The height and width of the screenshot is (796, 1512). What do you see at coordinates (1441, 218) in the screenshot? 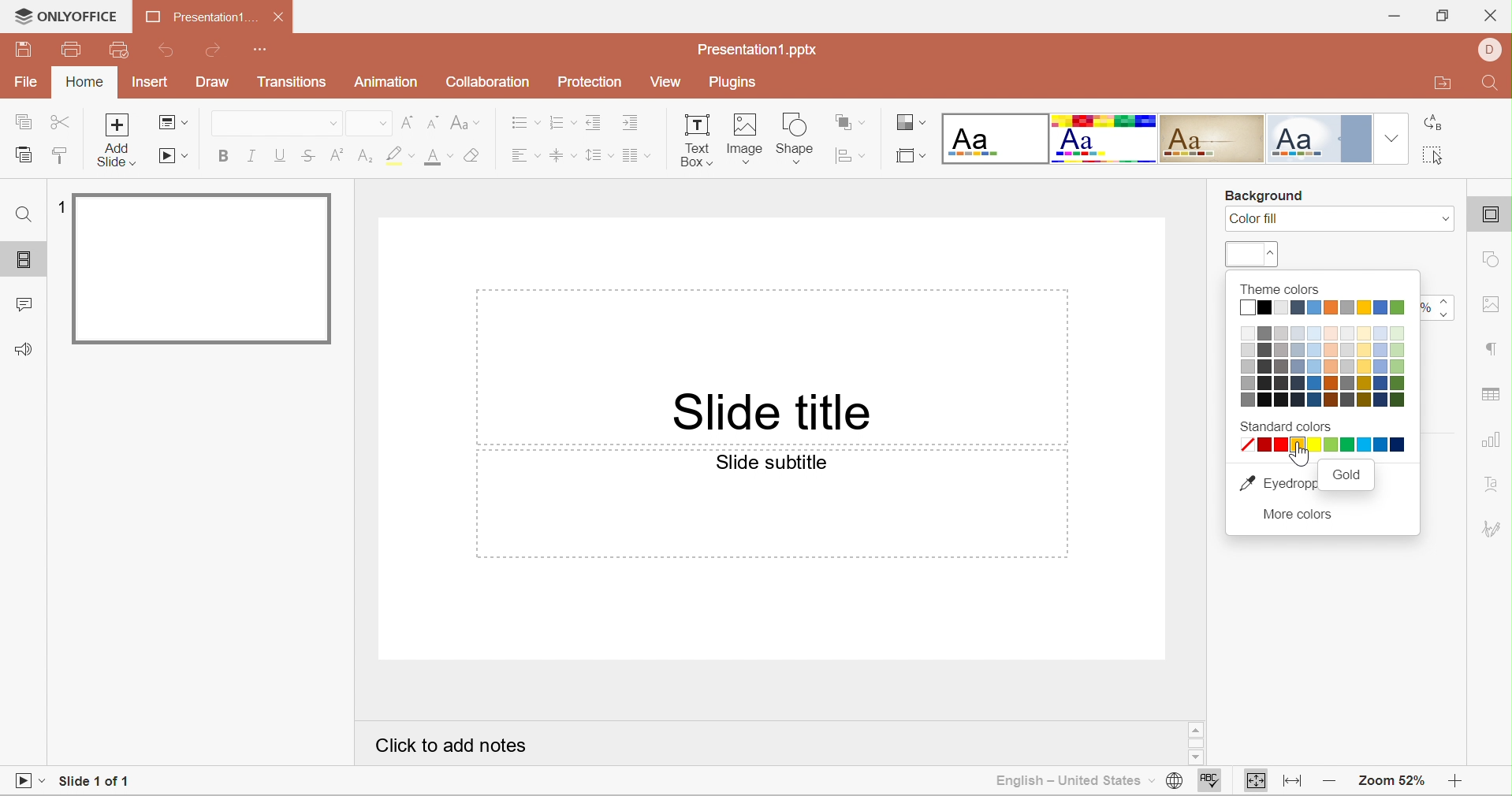
I see `Drop Dwon` at bounding box center [1441, 218].